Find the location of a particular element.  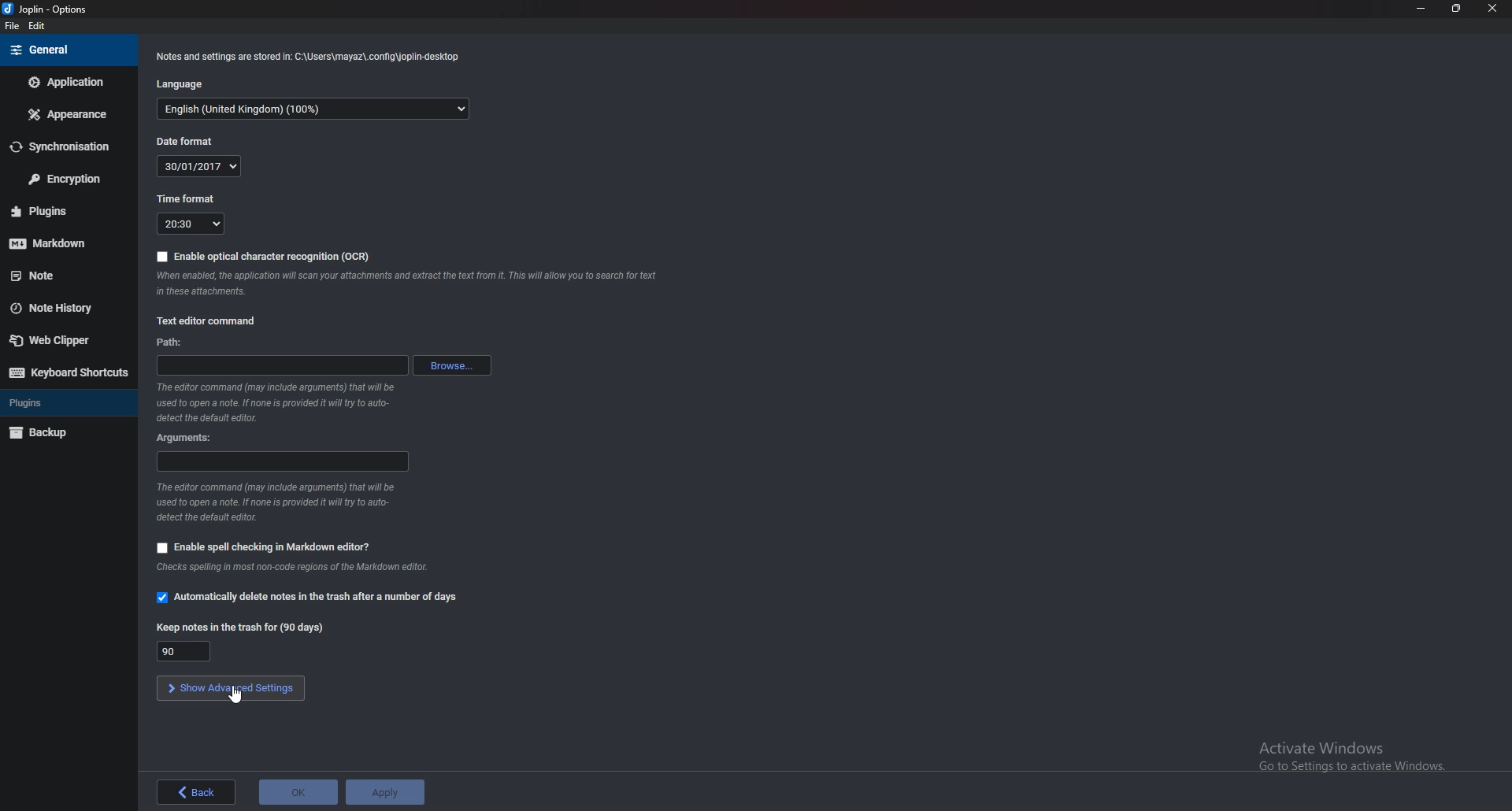

Keep notes in the trash for is located at coordinates (239, 629).